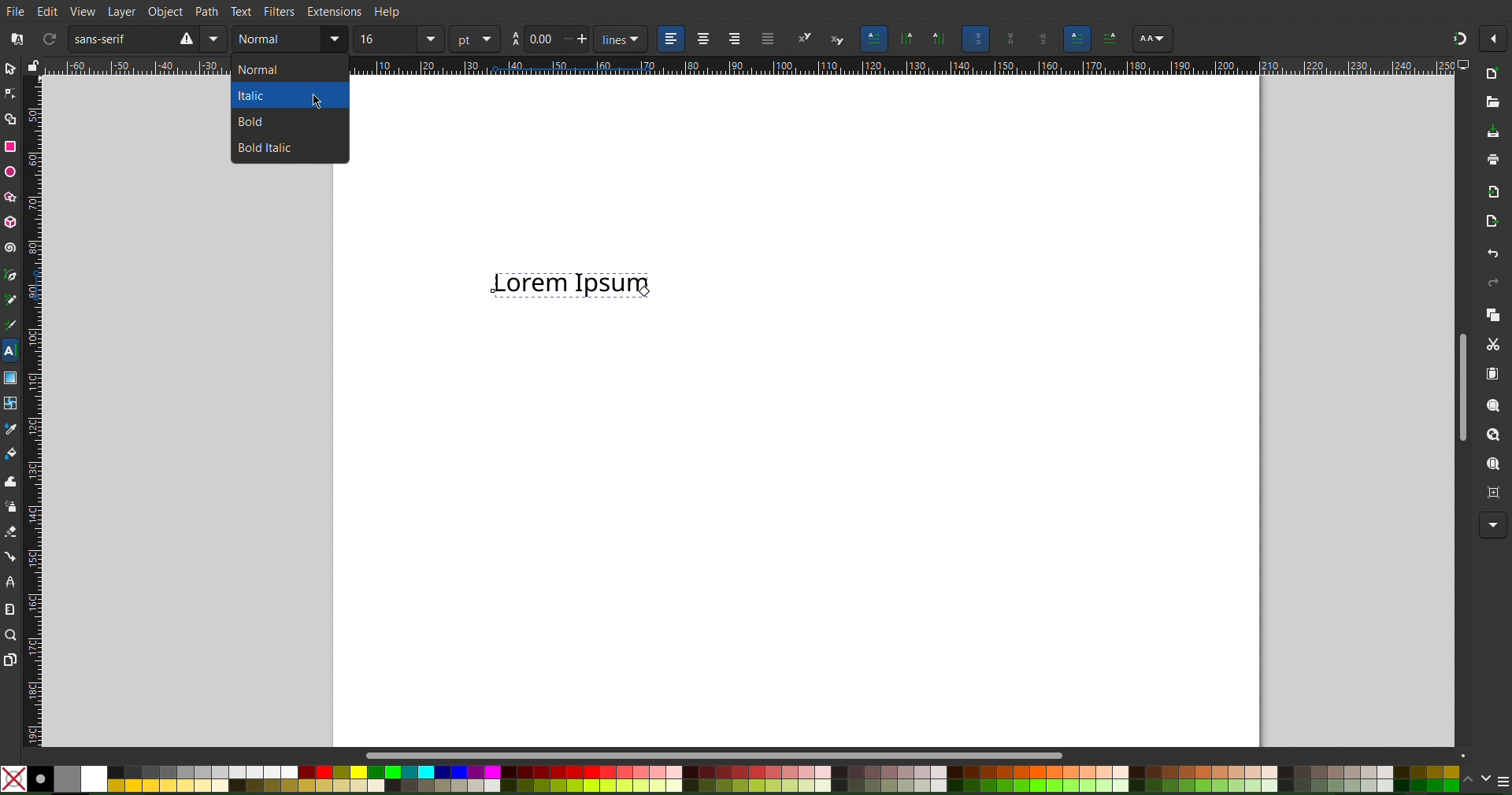 The height and width of the screenshot is (795, 1512). Describe the element at coordinates (11, 349) in the screenshot. I see `Text Tool` at that location.